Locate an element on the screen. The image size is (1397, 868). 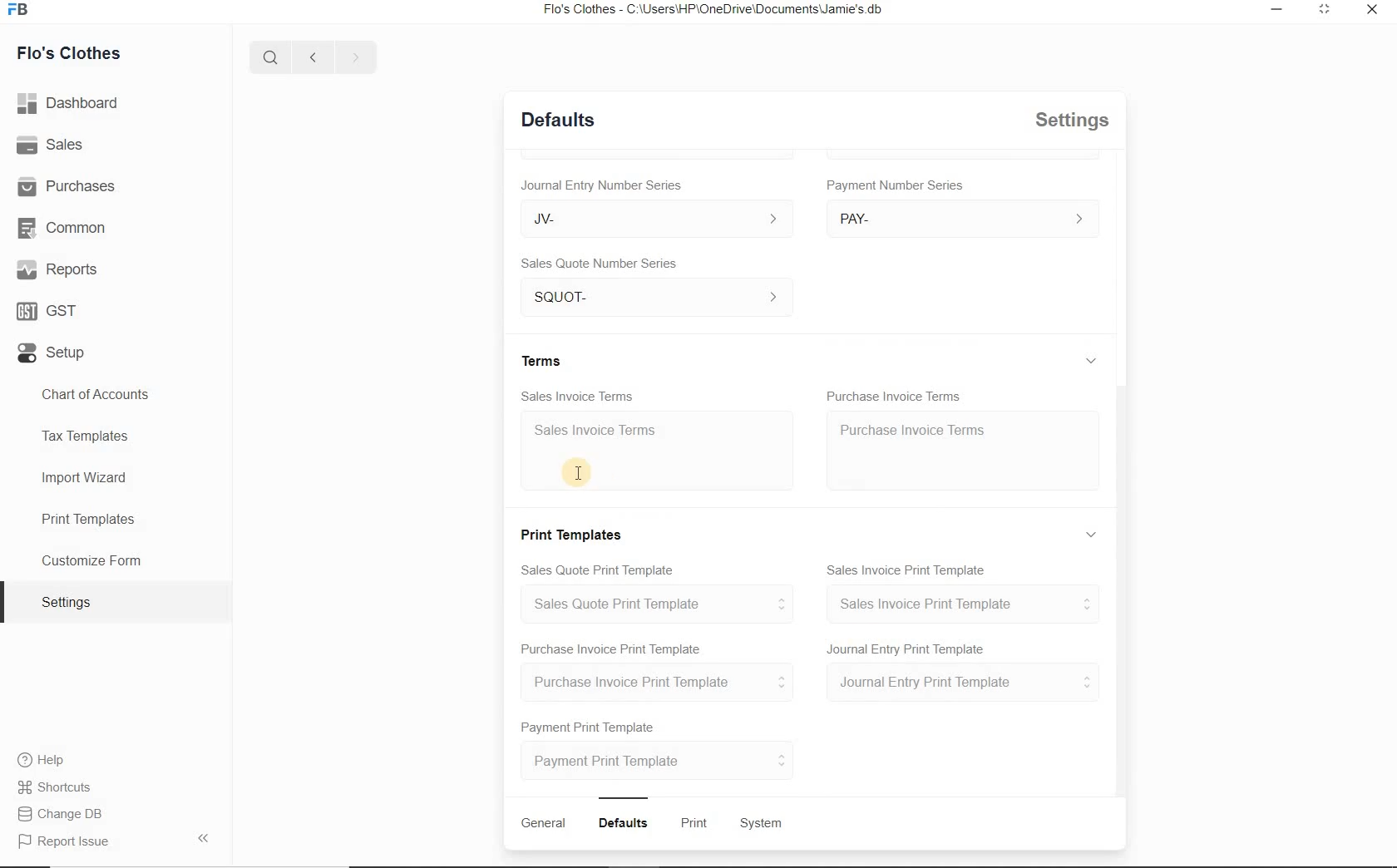
Expand is located at coordinates (1092, 361).